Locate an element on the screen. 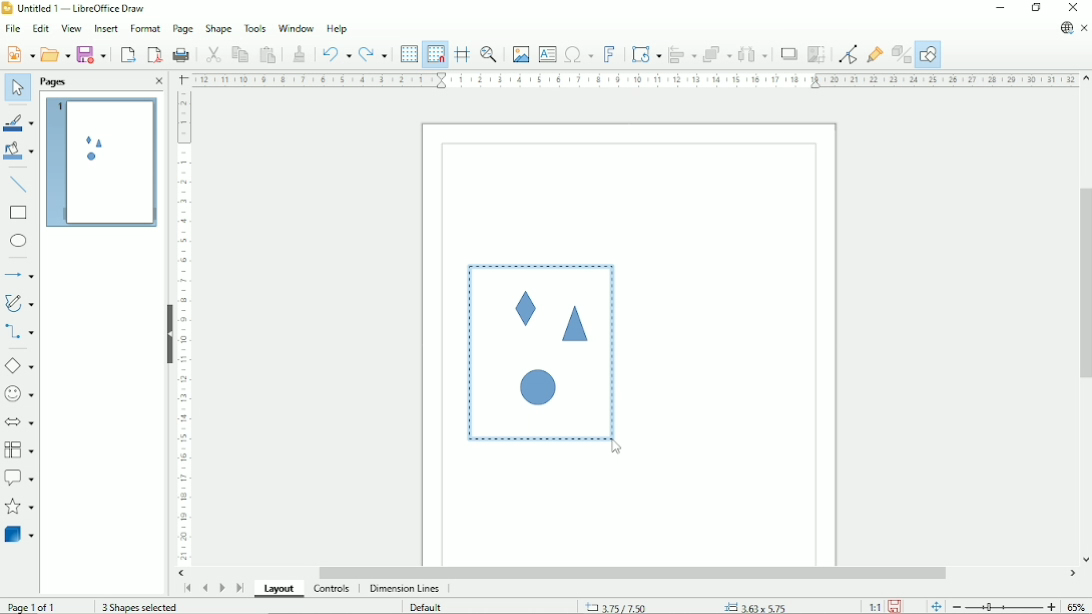  Show draw functions is located at coordinates (928, 55).